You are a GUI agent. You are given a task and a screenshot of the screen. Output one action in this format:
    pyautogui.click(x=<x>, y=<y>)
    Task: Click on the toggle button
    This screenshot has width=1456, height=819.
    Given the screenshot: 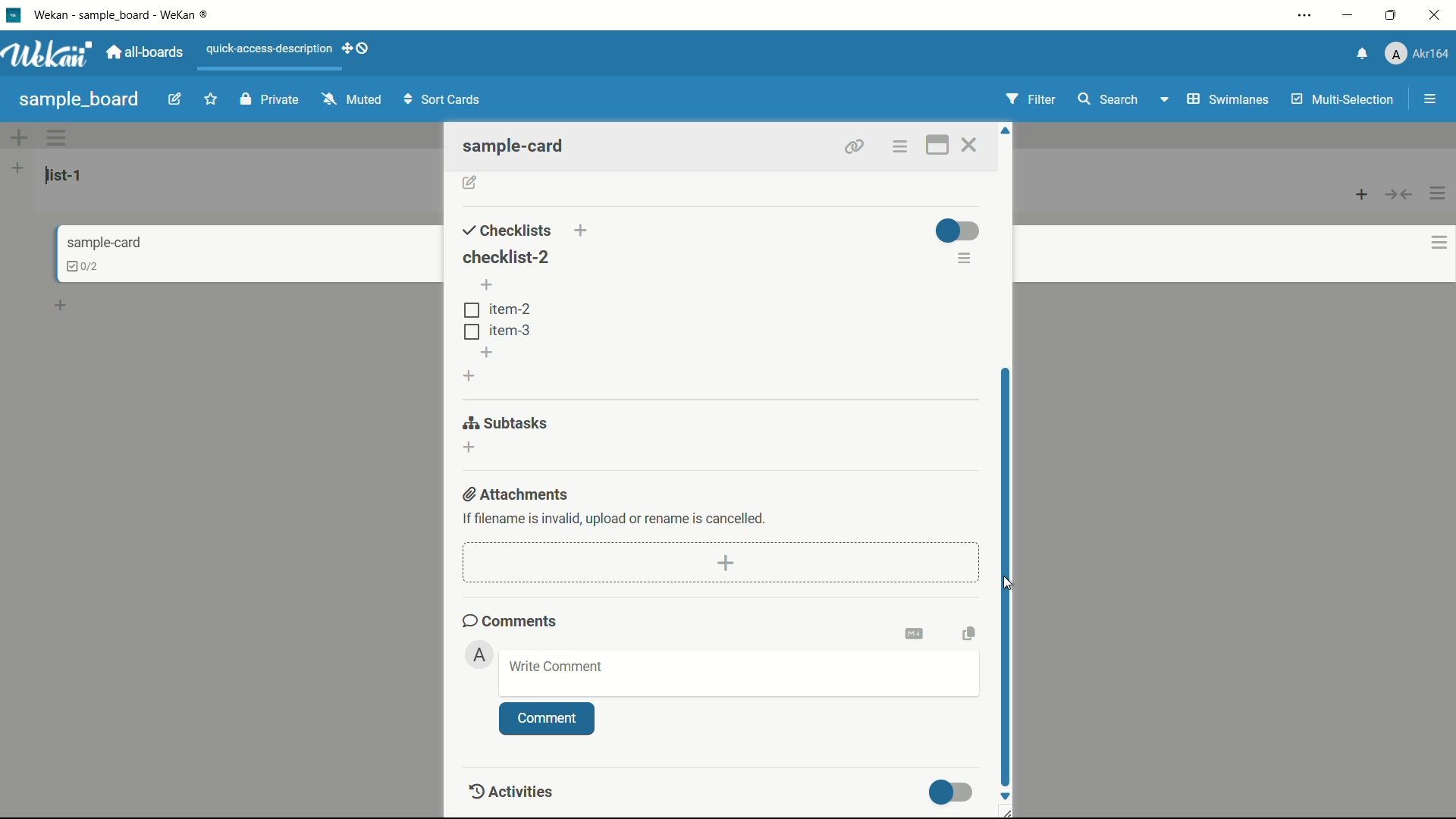 What is the action you would take?
    pyautogui.click(x=952, y=792)
    